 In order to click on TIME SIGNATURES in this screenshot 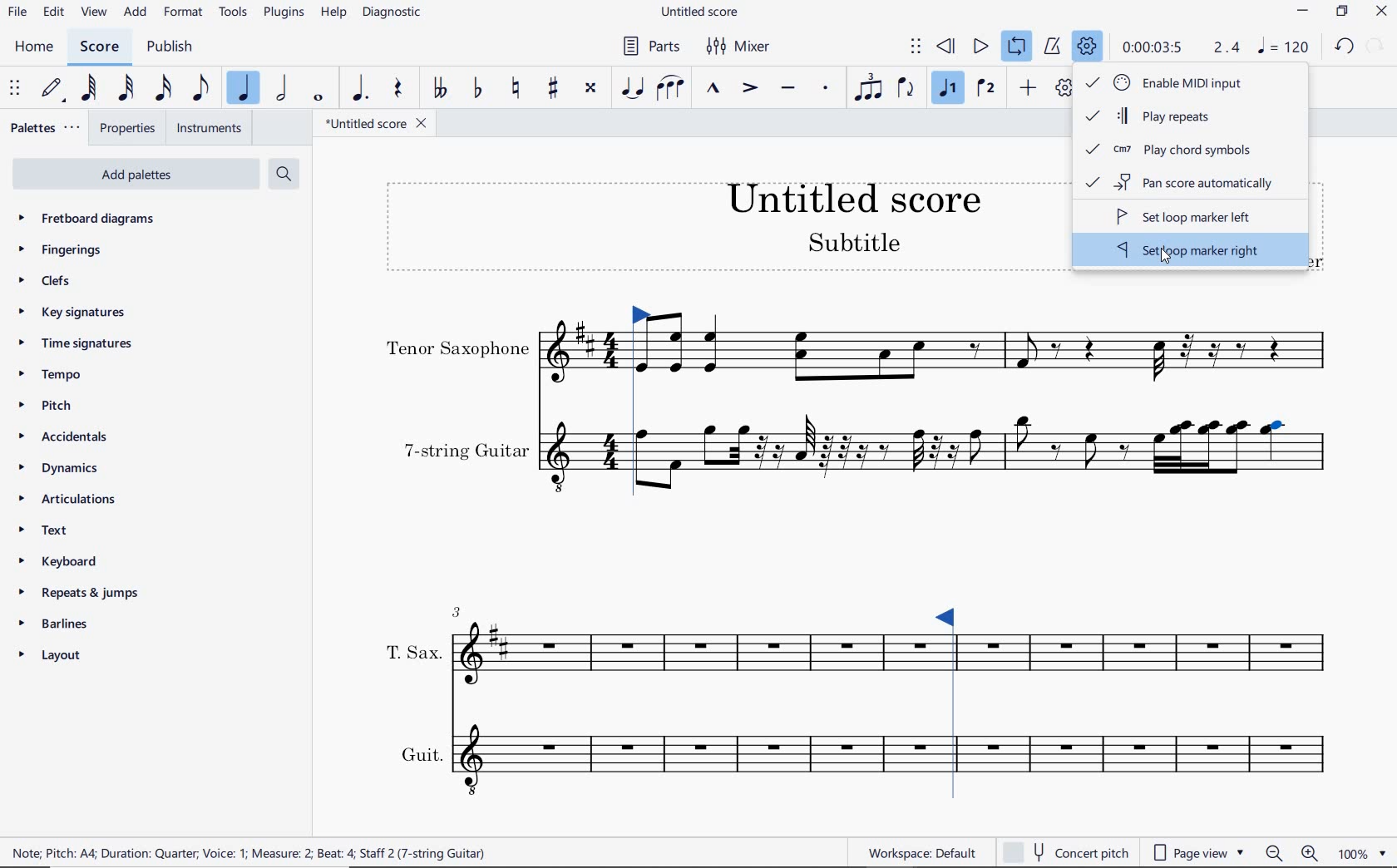, I will do `click(74, 343)`.